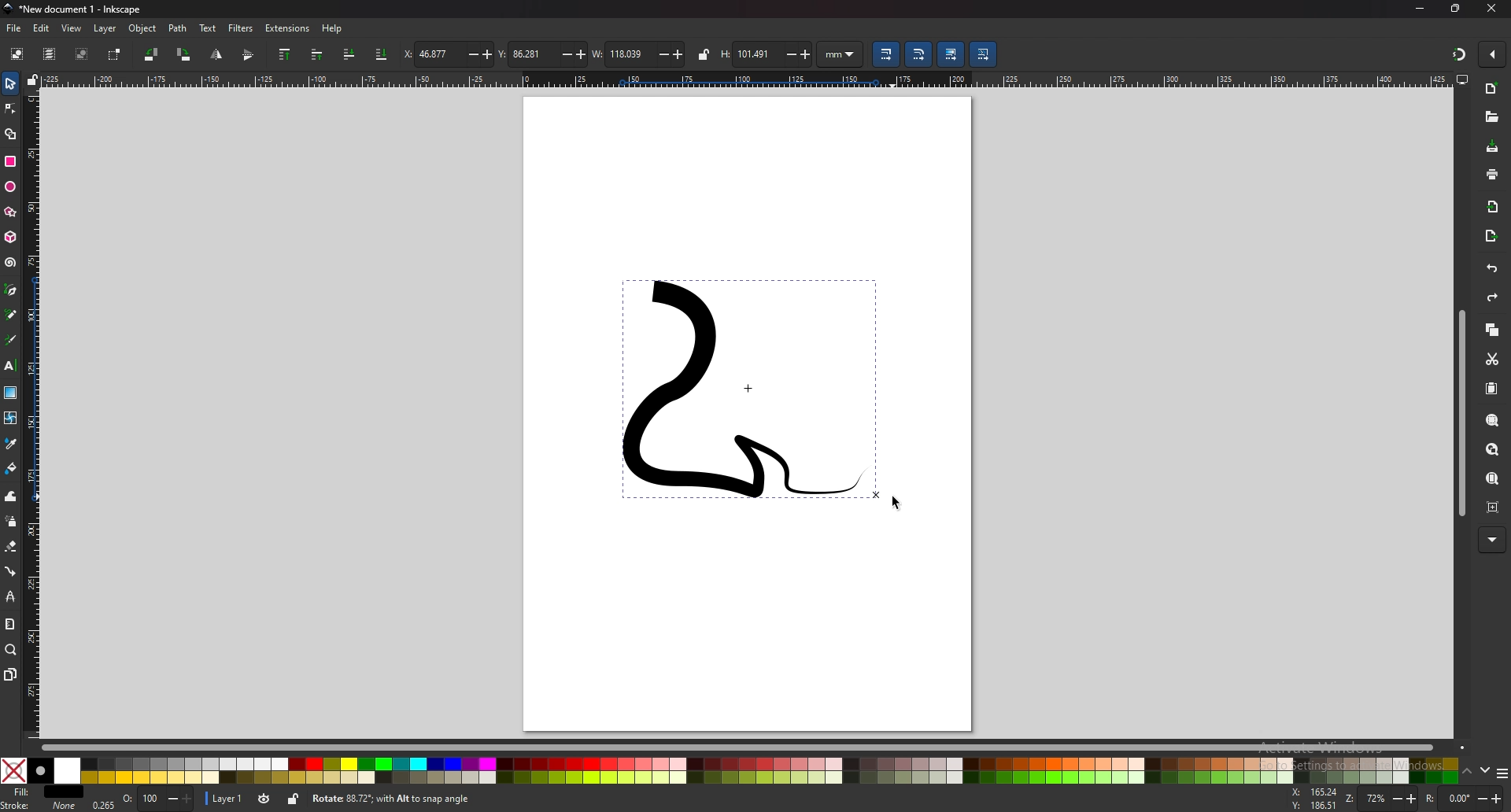  I want to click on zoom, so click(10, 650).